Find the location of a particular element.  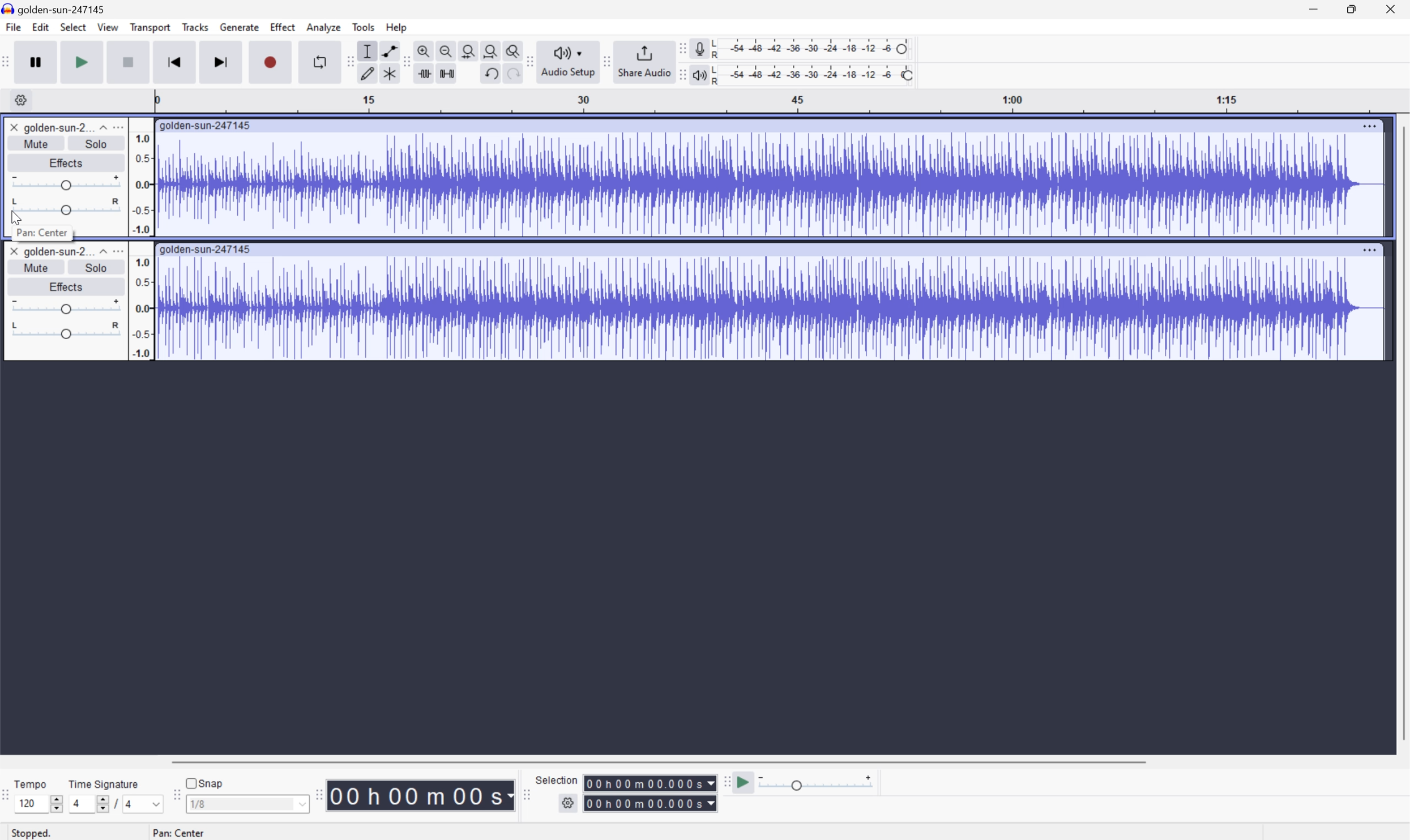

Mute is located at coordinates (35, 267).